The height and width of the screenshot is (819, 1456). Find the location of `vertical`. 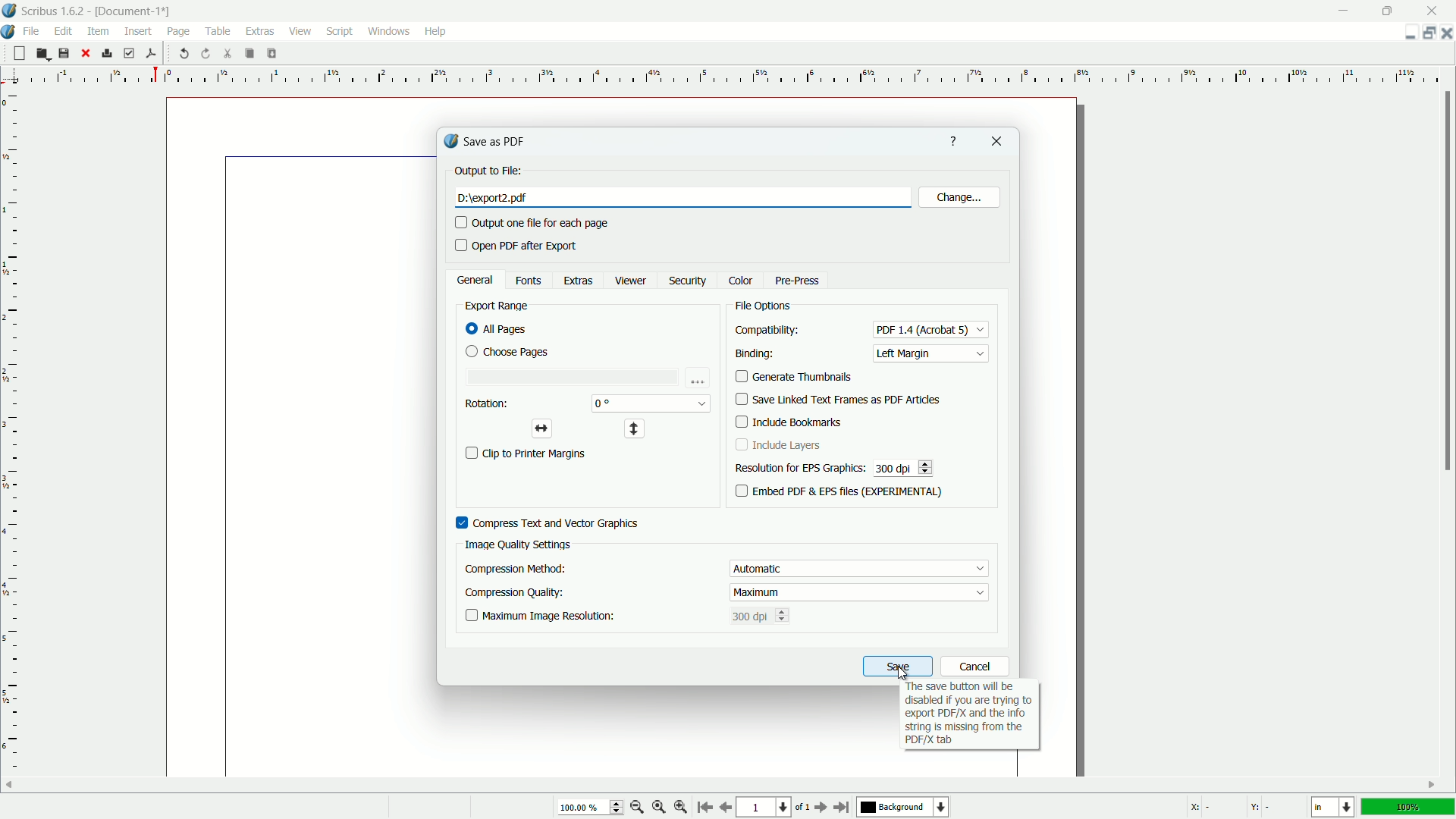

vertical is located at coordinates (634, 429).